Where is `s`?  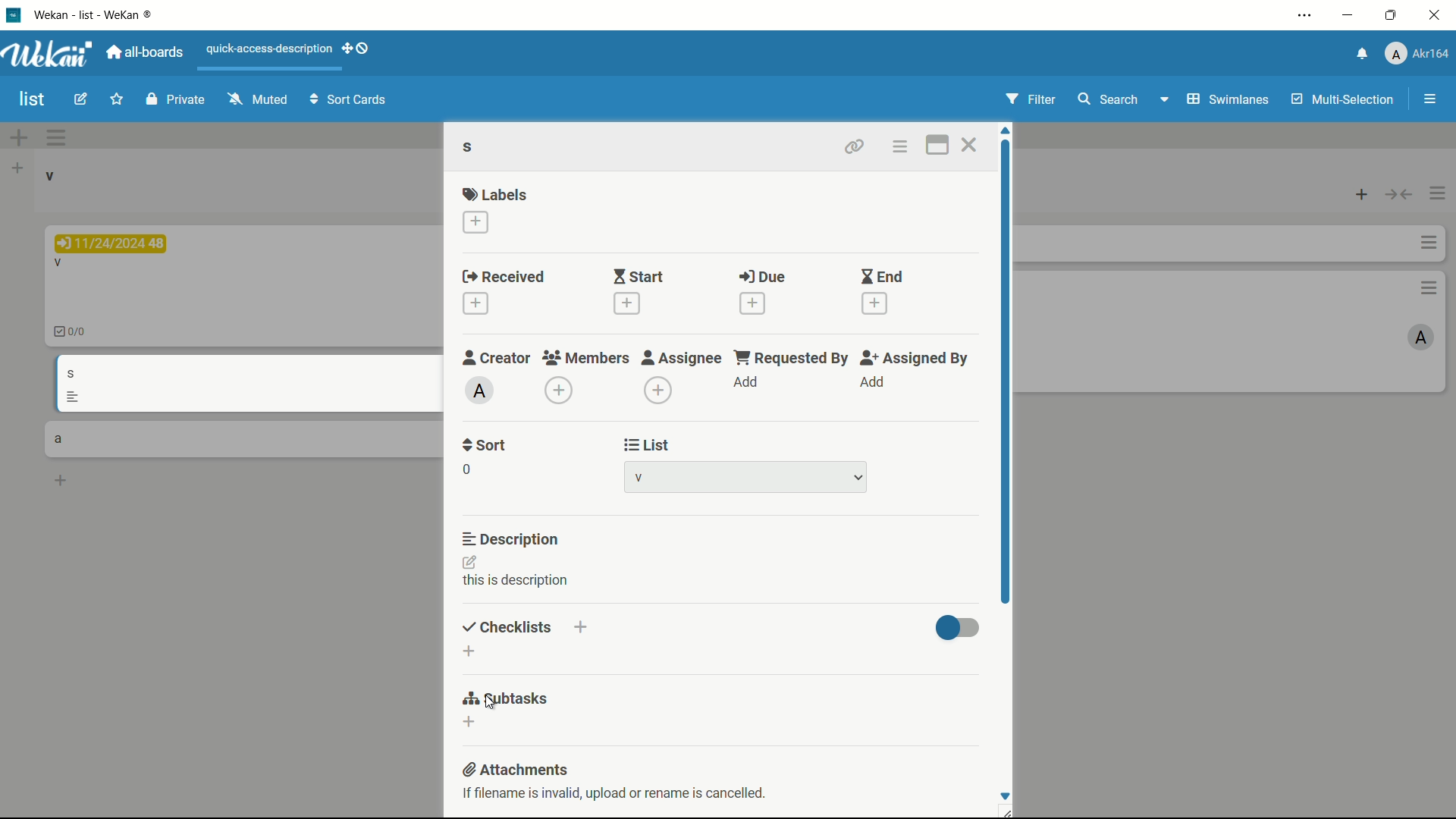 s is located at coordinates (472, 146).